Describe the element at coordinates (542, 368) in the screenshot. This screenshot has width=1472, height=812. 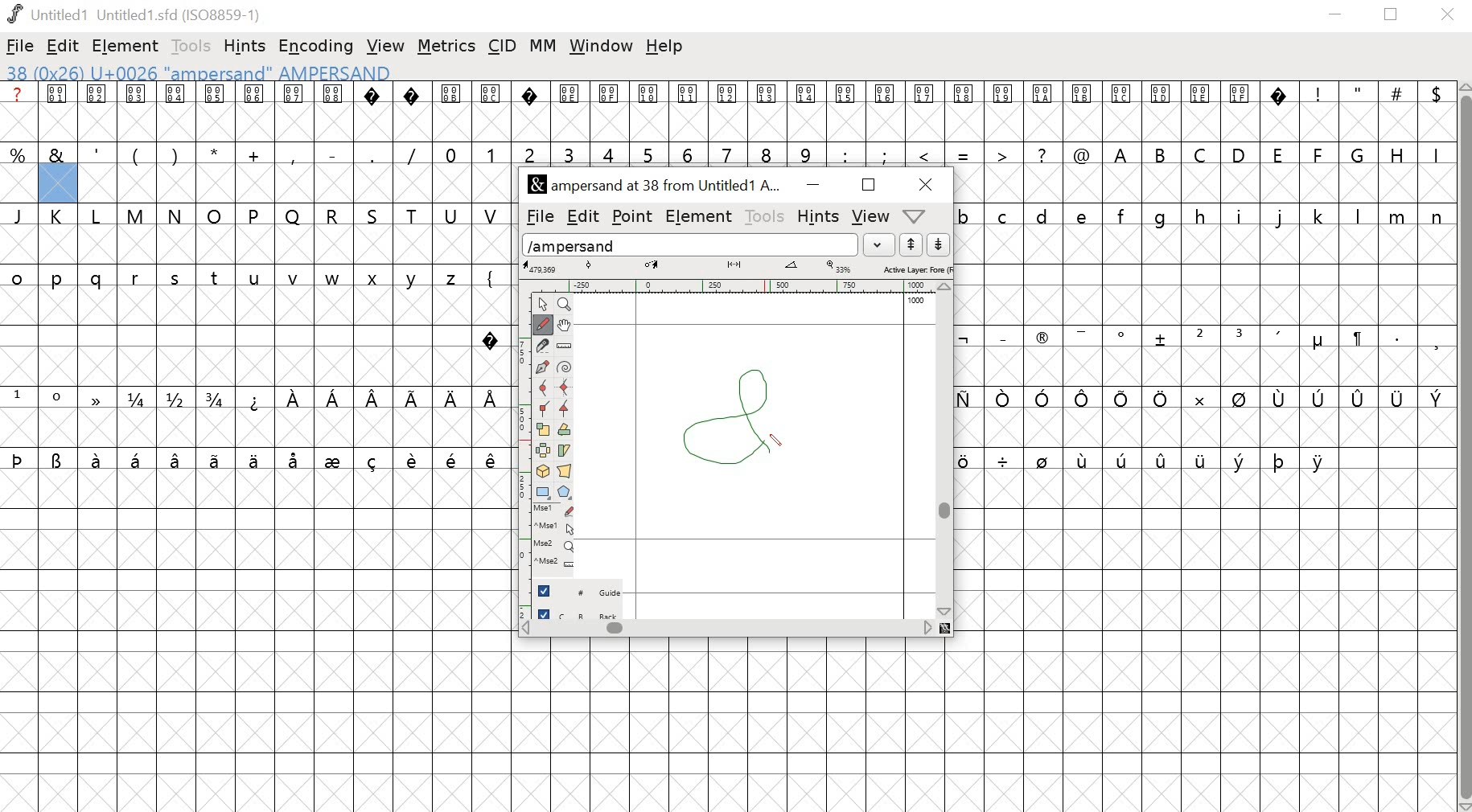
I see `drag out its control points ` at that location.